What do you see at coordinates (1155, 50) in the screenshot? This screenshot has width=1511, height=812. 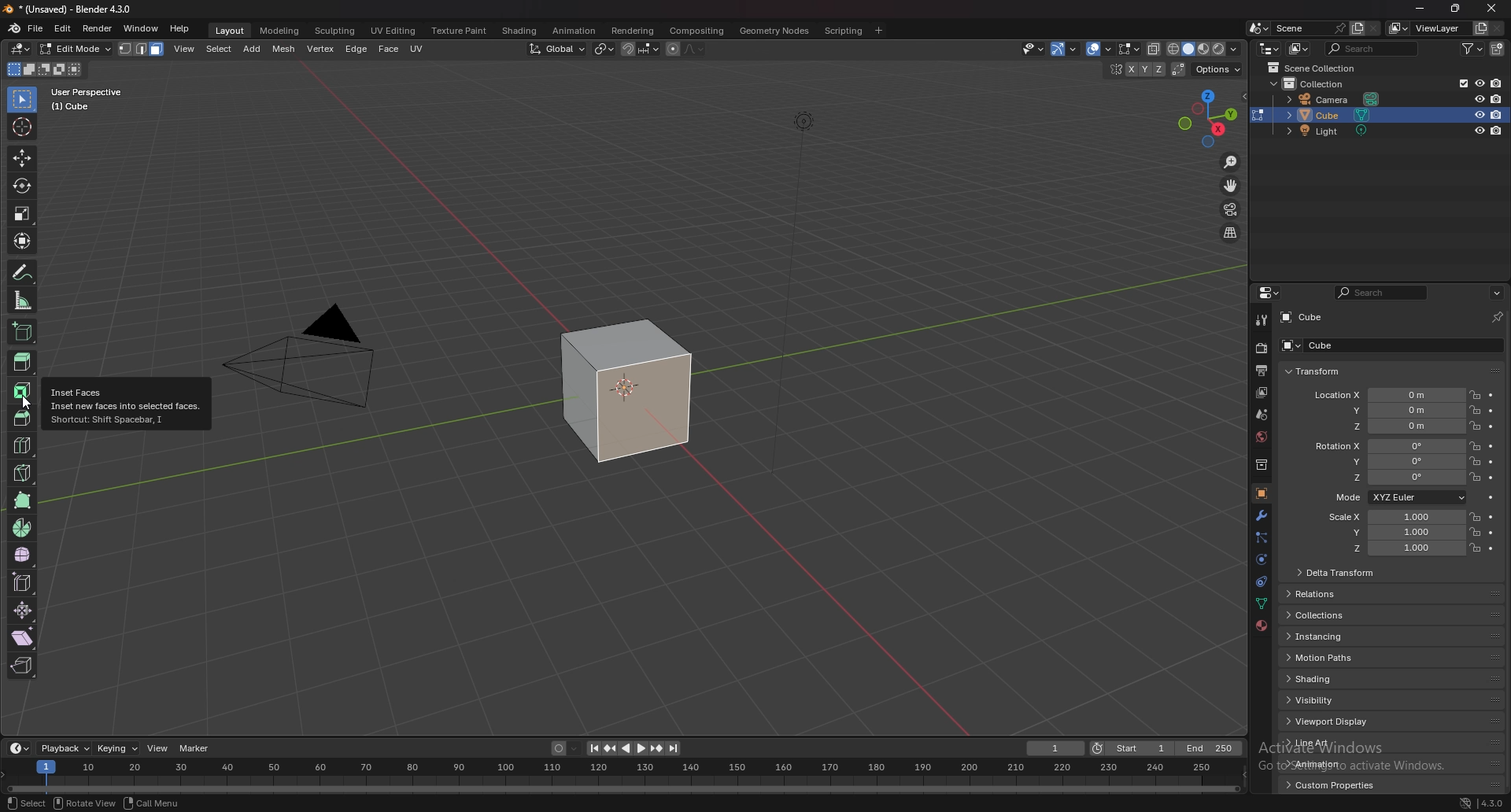 I see `toggle xray` at bounding box center [1155, 50].